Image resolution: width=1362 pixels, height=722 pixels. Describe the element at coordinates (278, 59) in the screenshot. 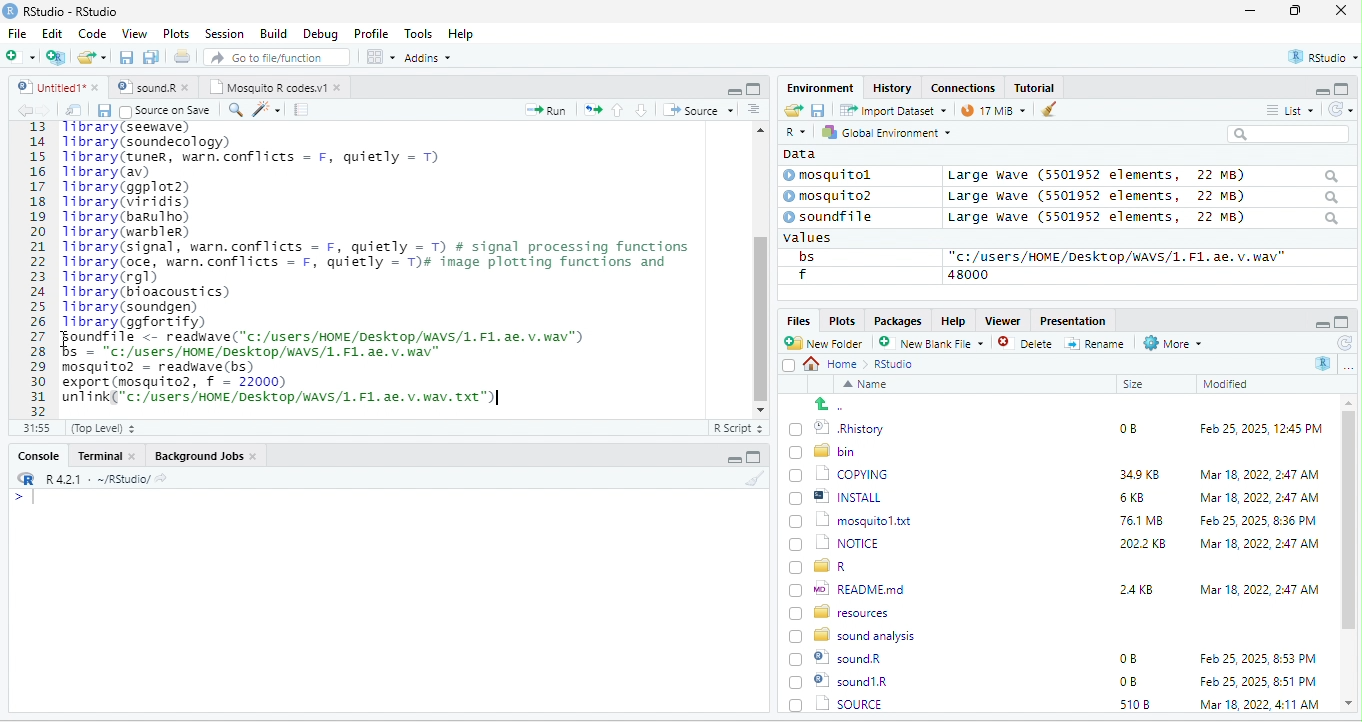

I see `” Go to file/function` at that location.